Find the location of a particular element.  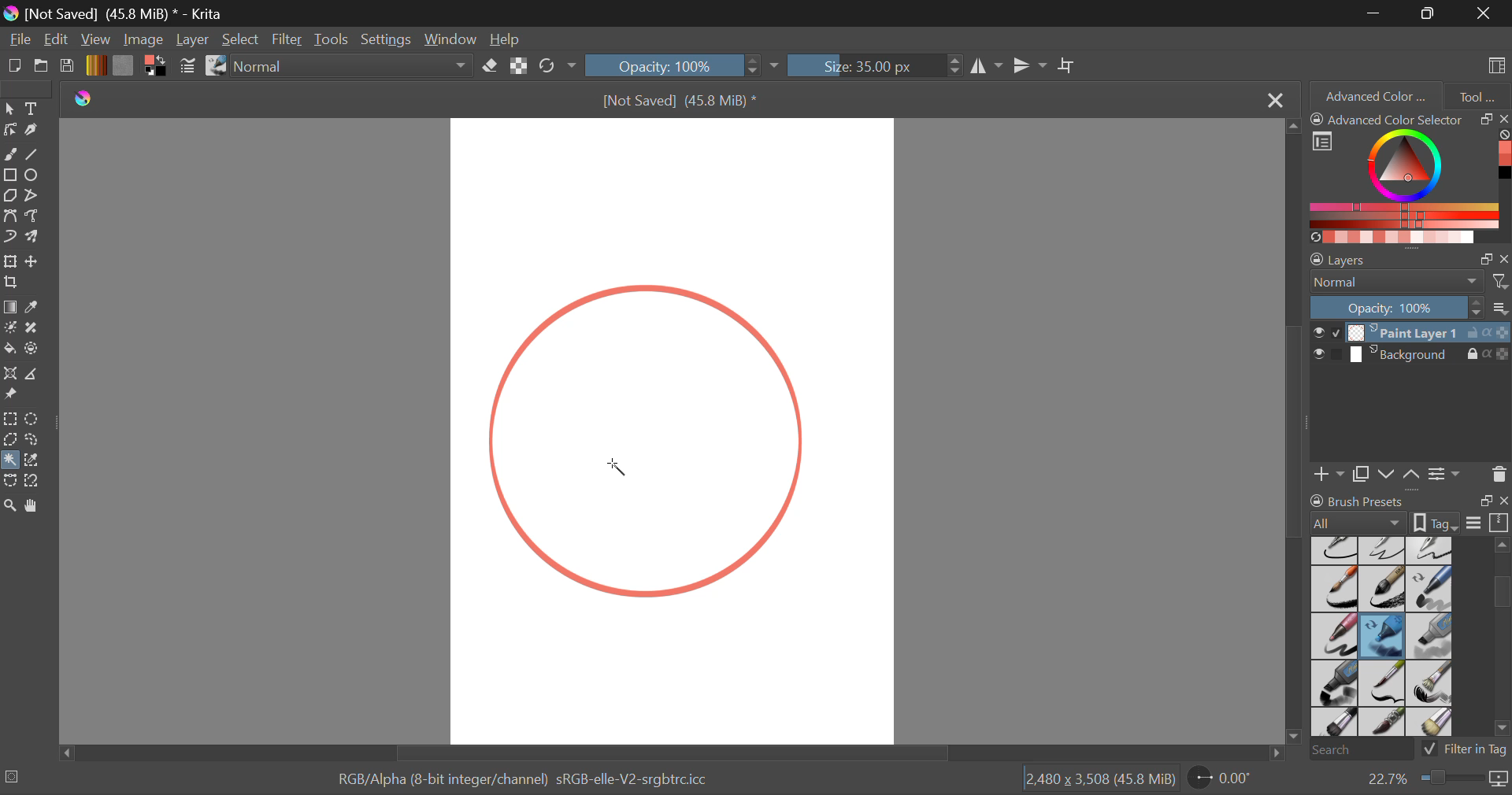

[Not Saved] (45.8 MiB) * - Krita is located at coordinates (127, 13).